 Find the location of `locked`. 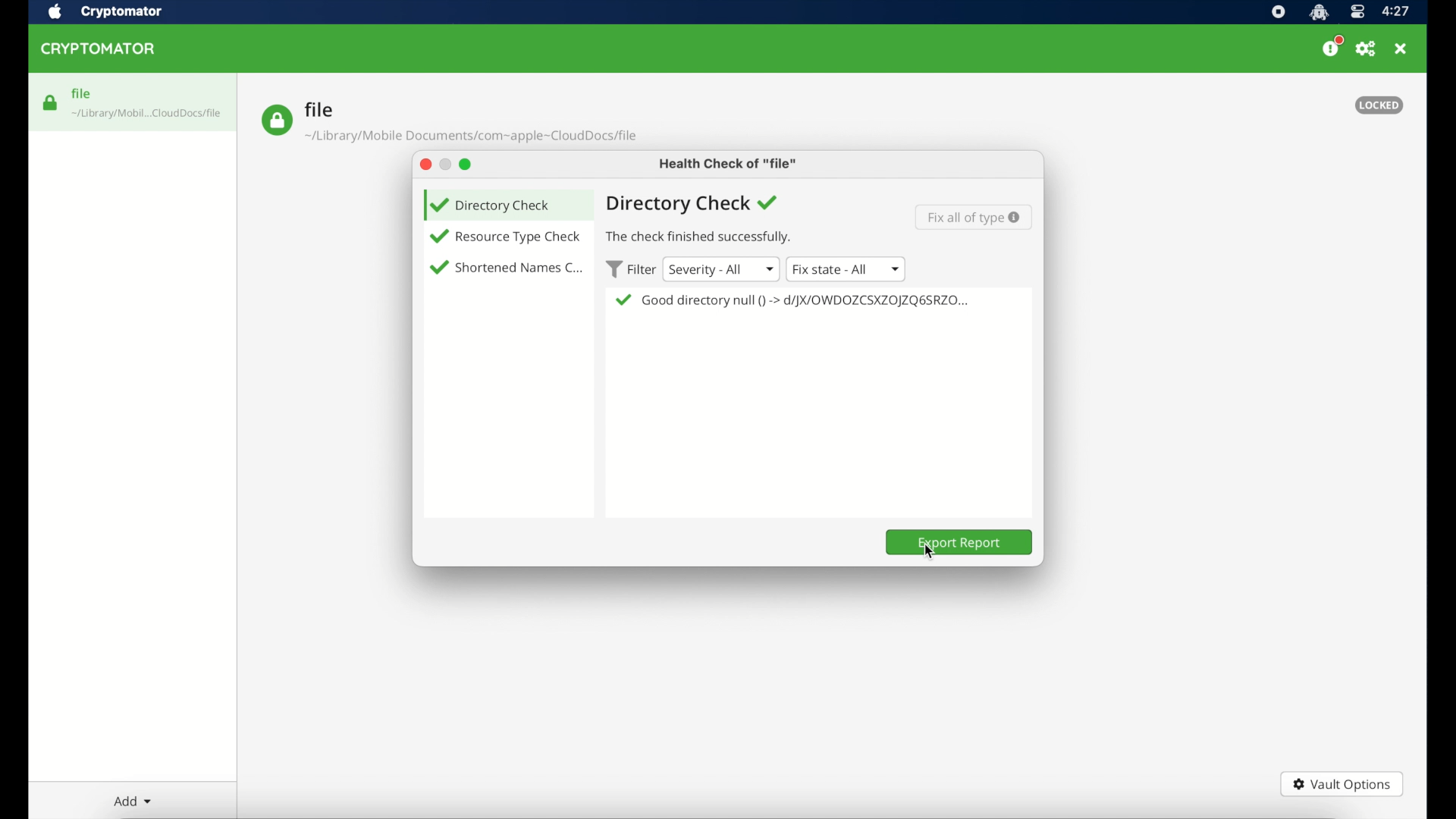

locked is located at coordinates (1379, 105).